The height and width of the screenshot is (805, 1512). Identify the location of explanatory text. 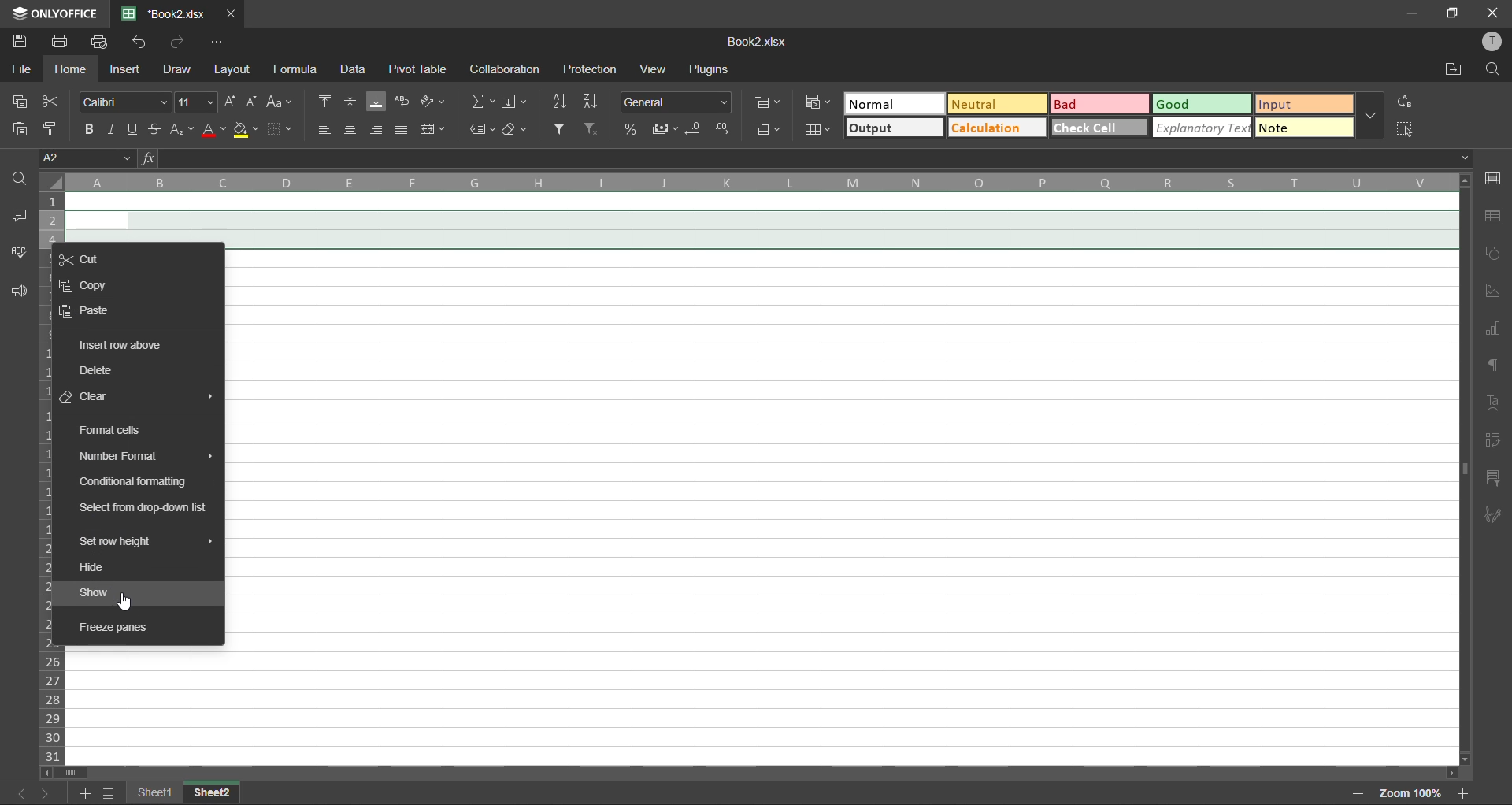
(1202, 129).